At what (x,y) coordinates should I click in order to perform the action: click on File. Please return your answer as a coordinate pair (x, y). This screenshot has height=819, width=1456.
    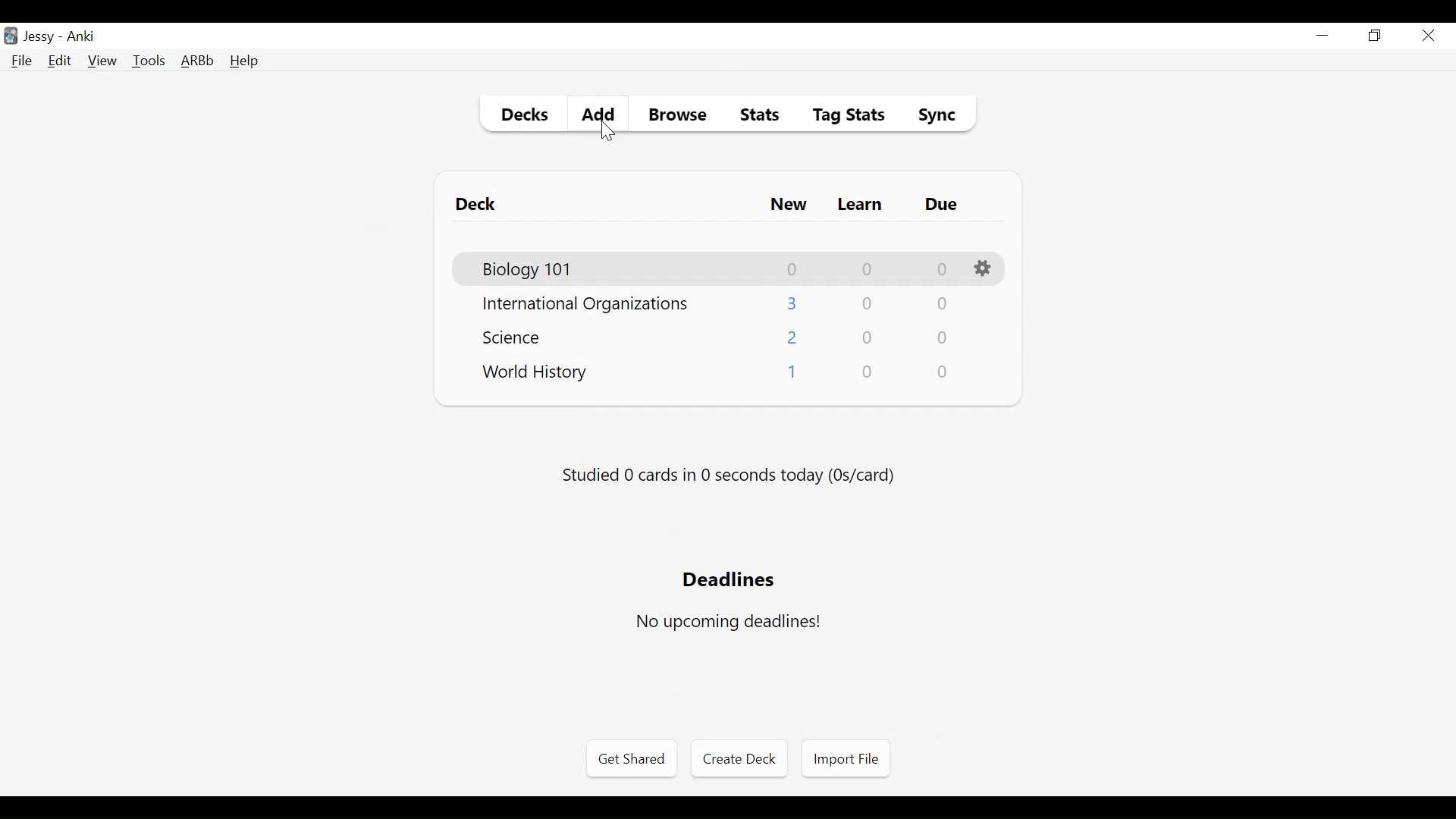
    Looking at the image, I should click on (22, 62).